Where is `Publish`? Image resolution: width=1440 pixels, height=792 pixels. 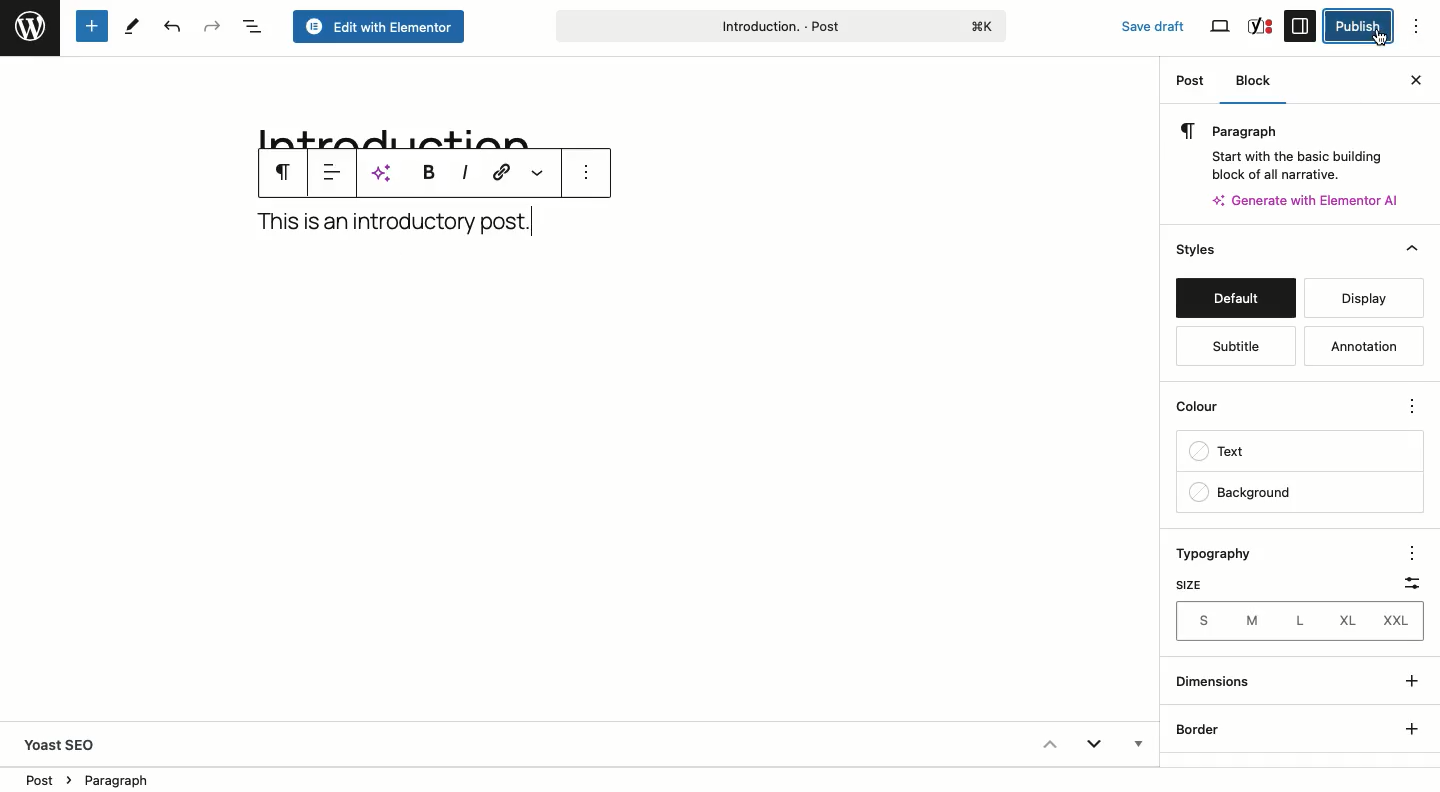
Publish is located at coordinates (1356, 26).